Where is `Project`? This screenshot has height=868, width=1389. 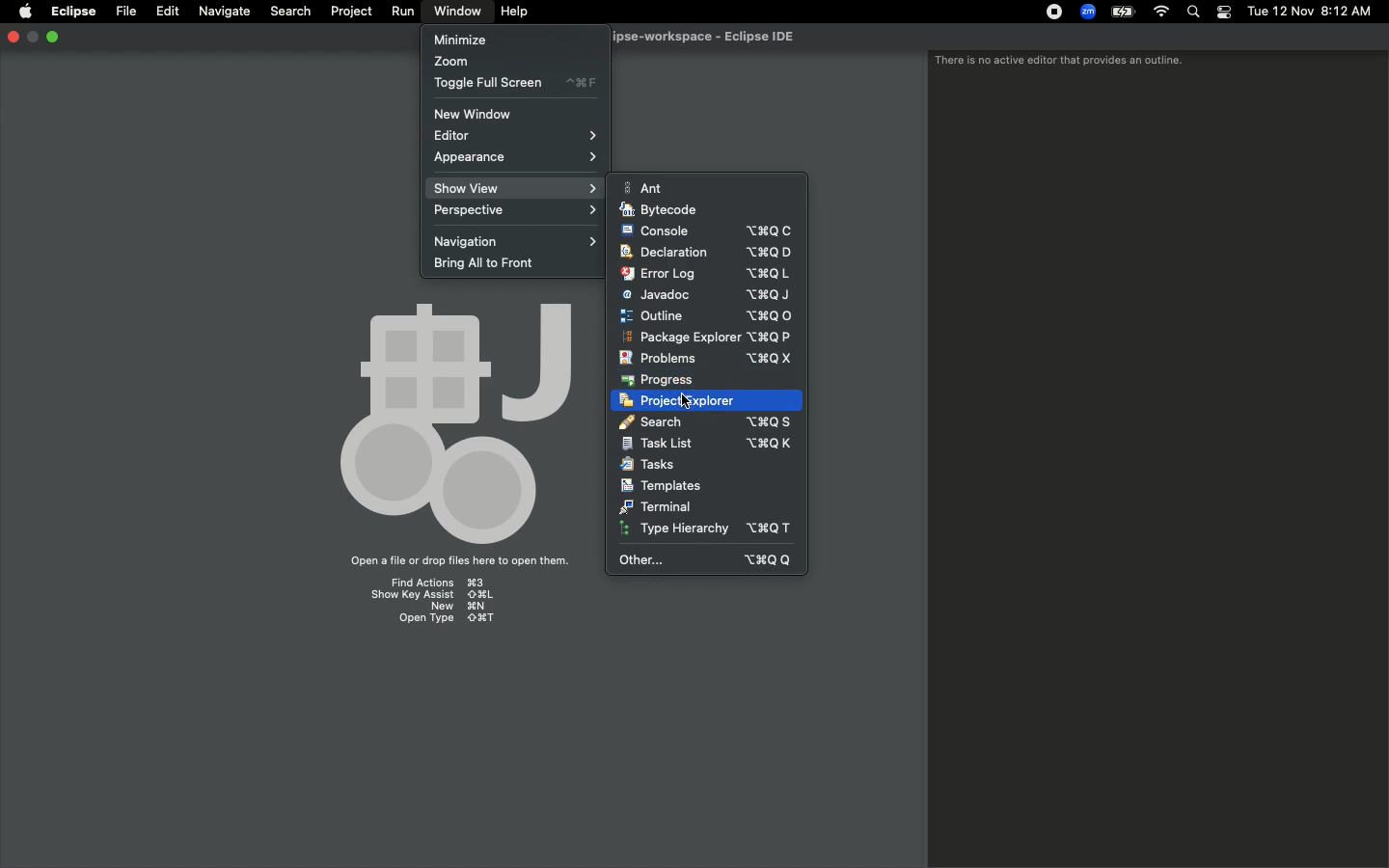 Project is located at coordinates (347, 12).